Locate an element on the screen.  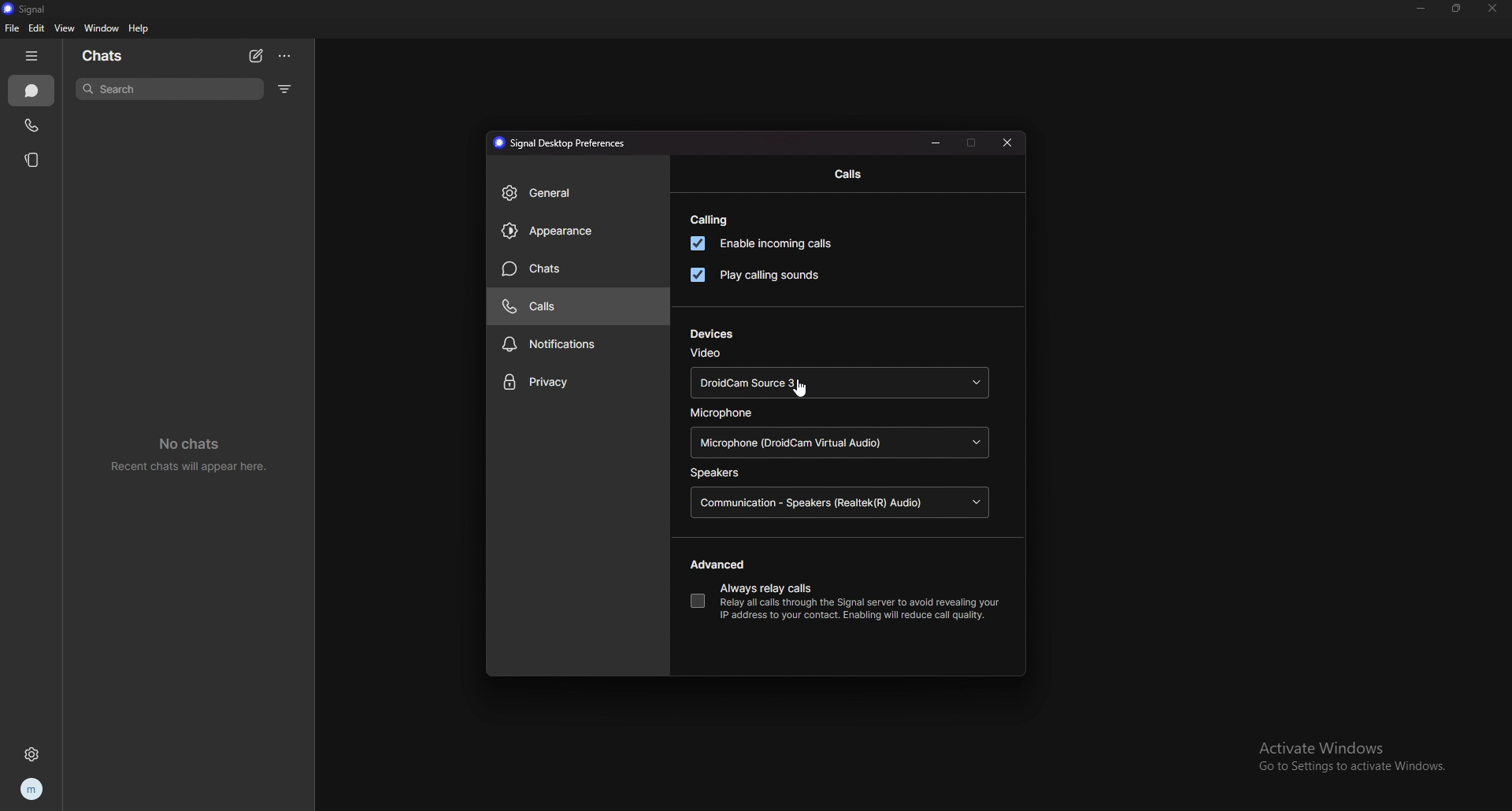
minimize is located at coordinates (937, 142).